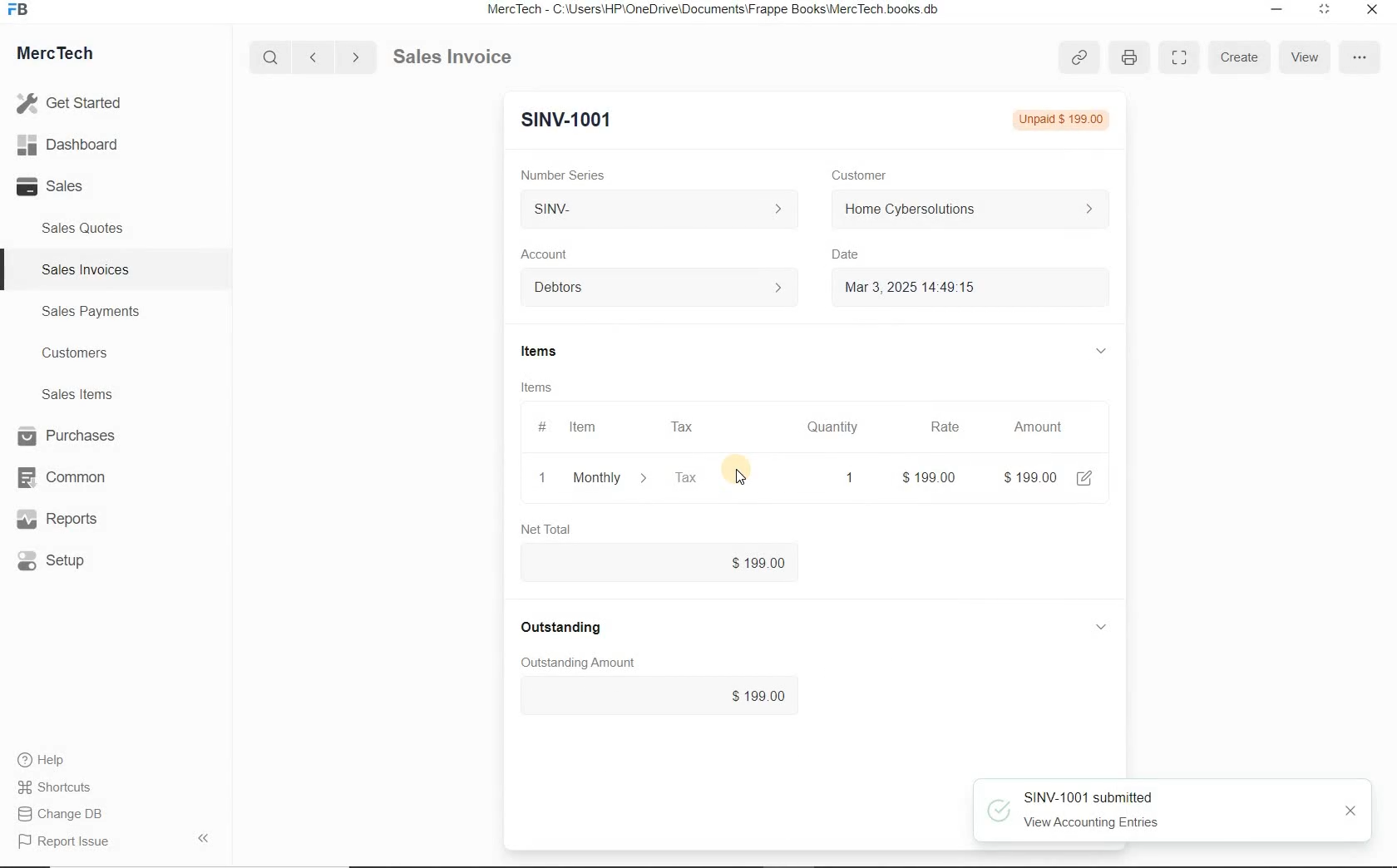  I want to click on MercTech, so click(63, 57).